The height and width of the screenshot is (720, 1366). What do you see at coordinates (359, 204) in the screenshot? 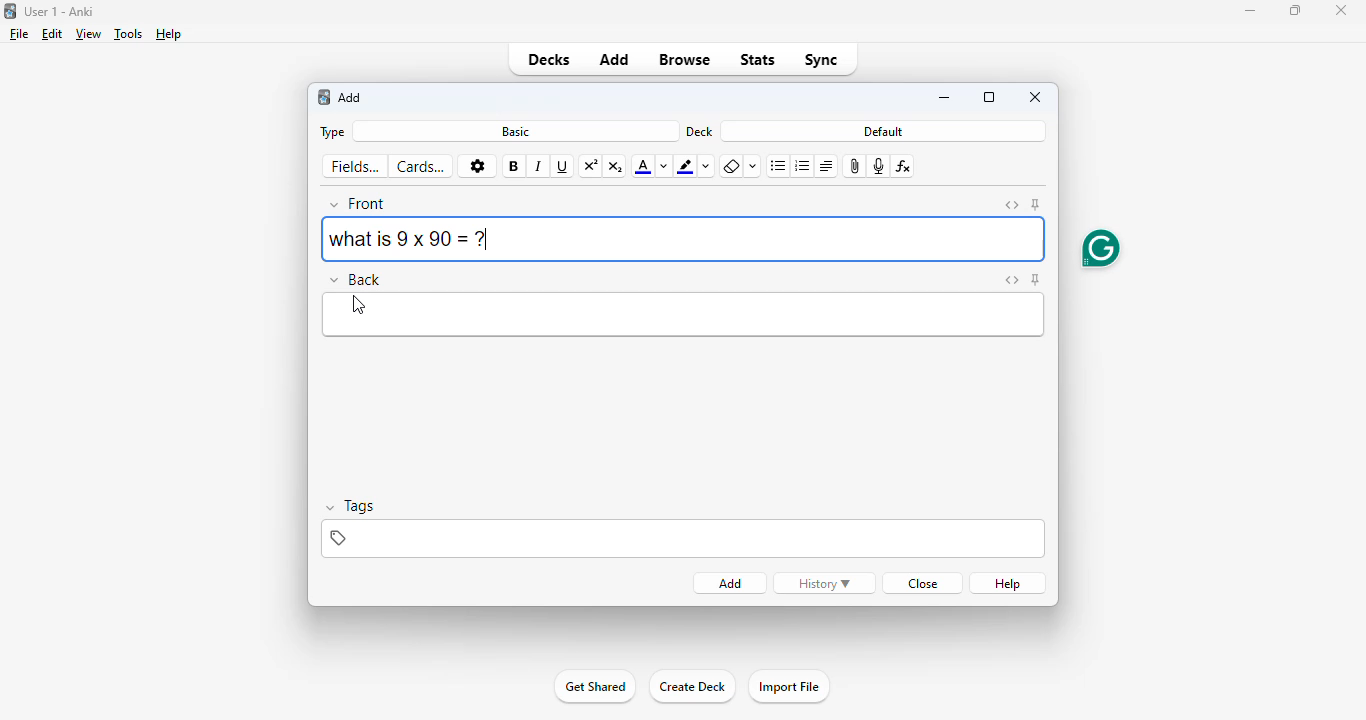
I see `front` at bounding box center [359, 204].